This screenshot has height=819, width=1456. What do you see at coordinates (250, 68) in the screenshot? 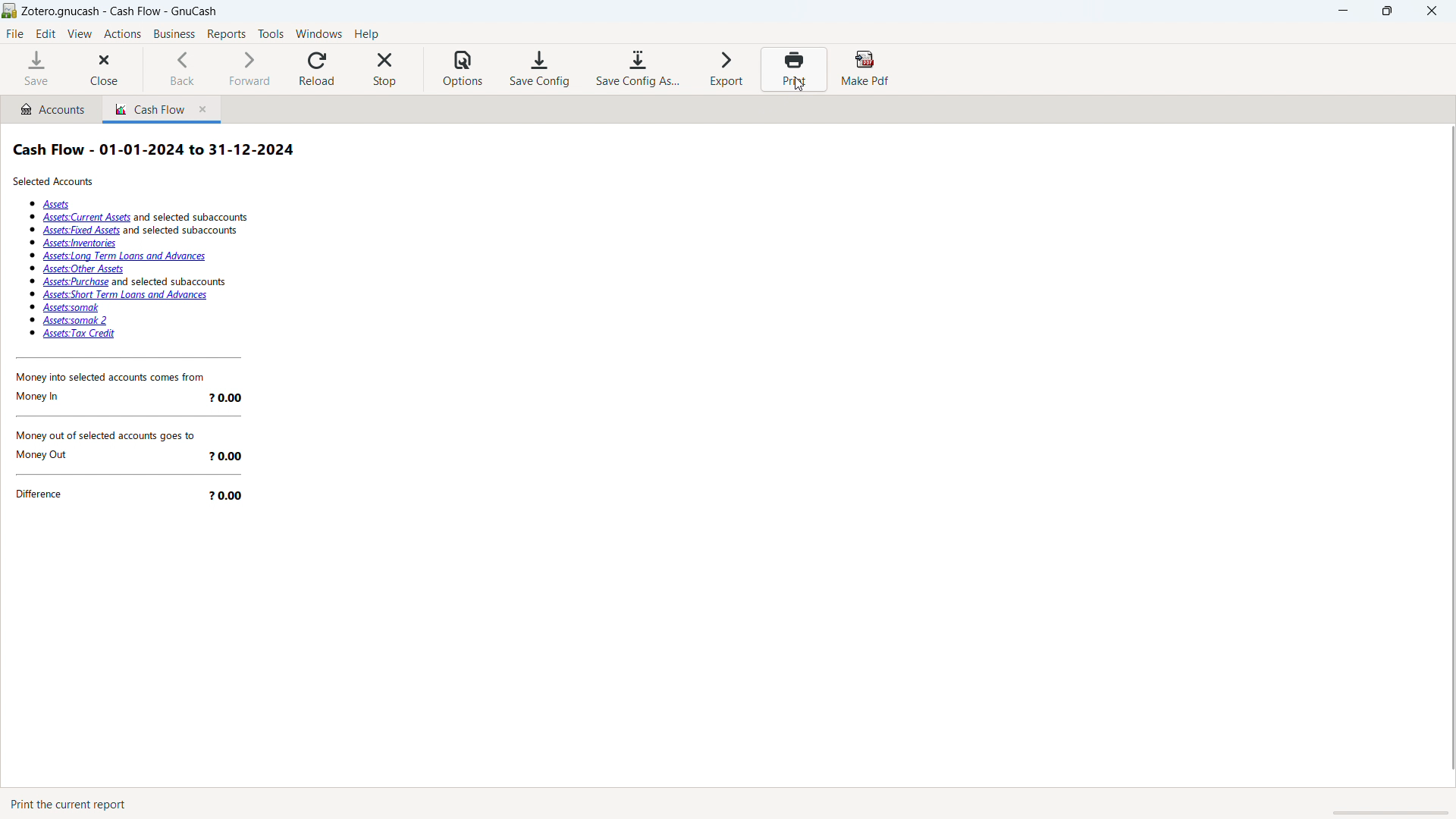
I see `forward` at bounding box center [250, 68].